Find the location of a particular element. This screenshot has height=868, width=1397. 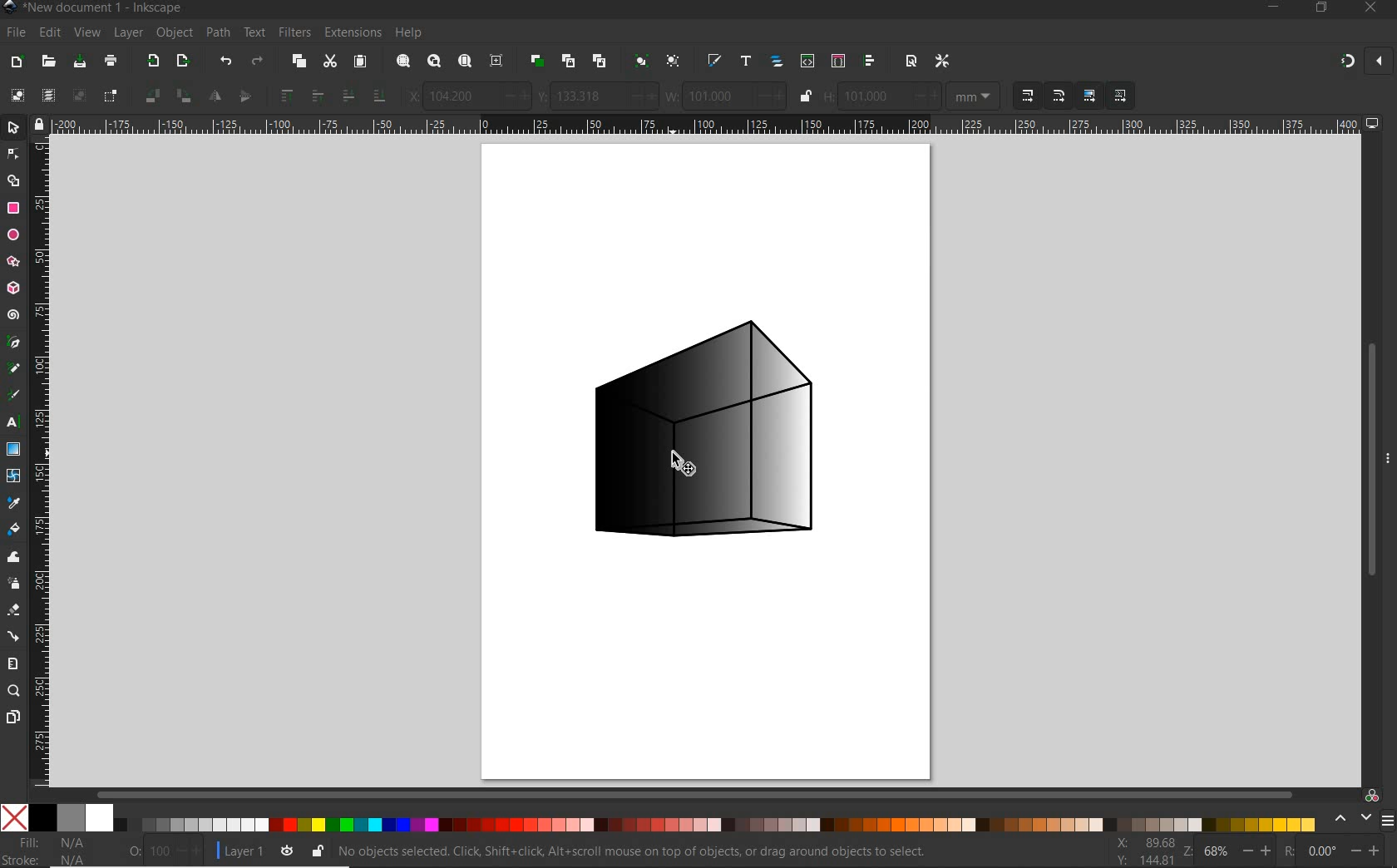

RAISE SELECTION is located at coordinates (284, 94).